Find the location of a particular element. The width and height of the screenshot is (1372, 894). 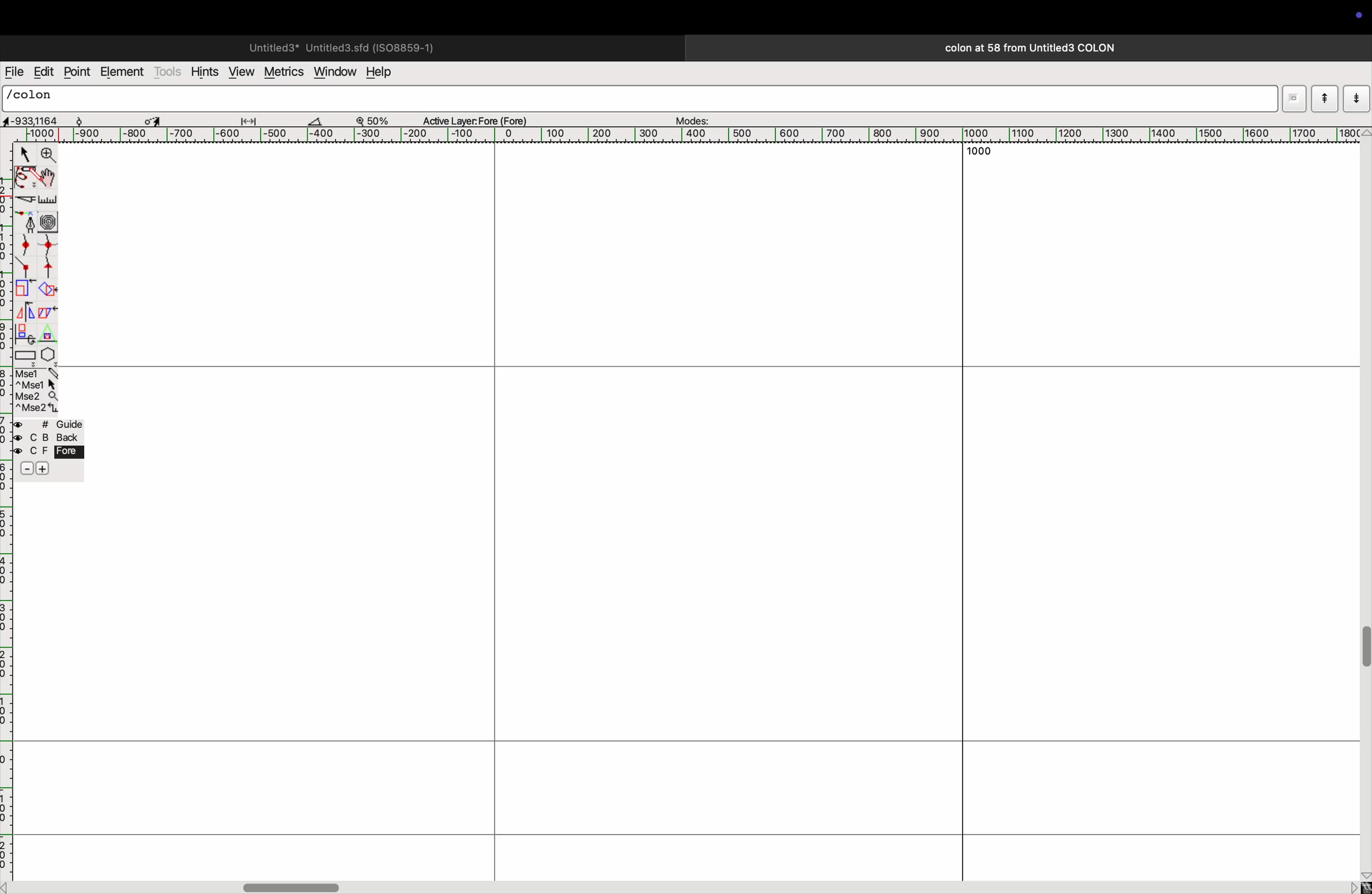

scale is located at coordinates (48, 201).